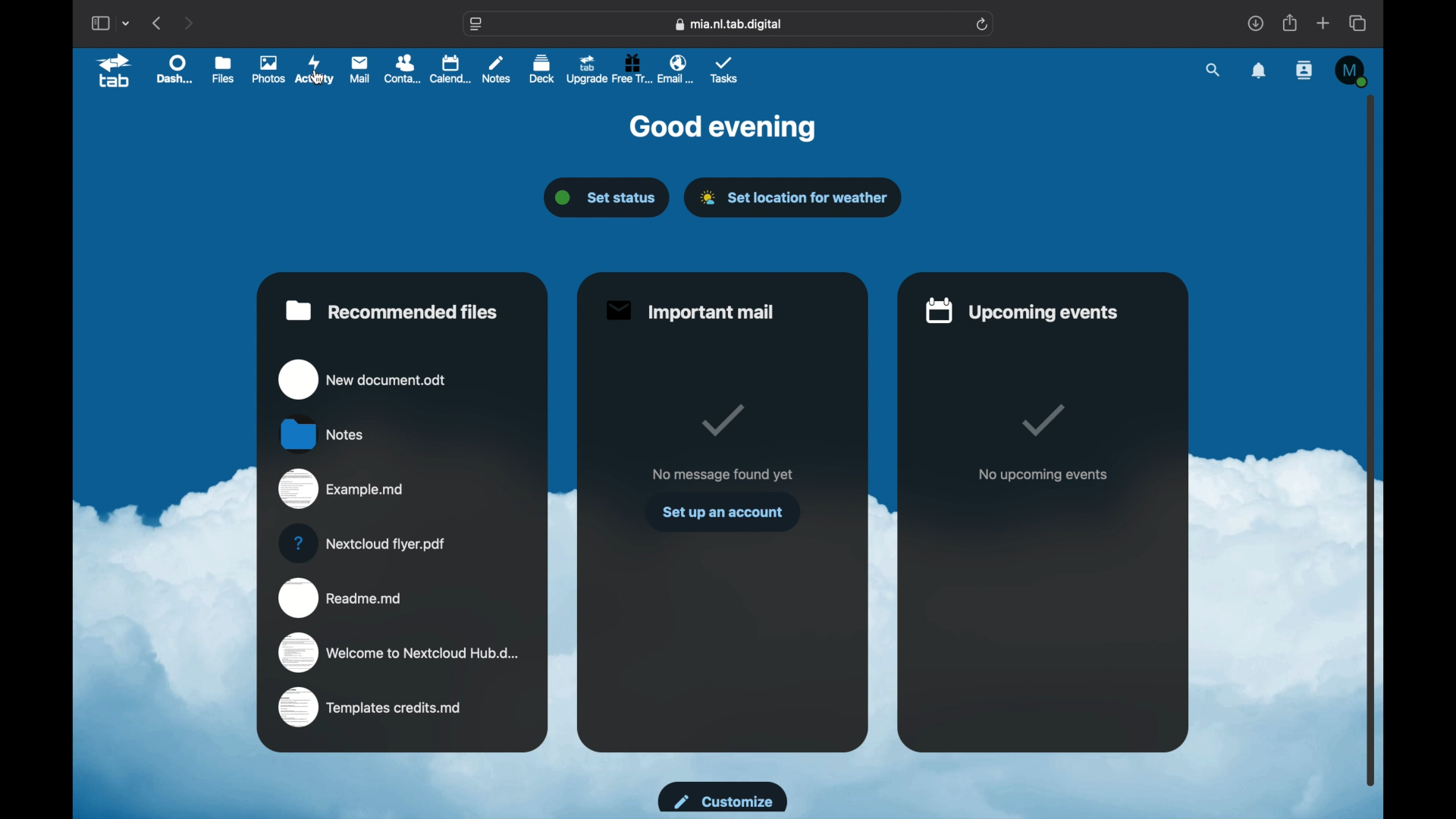 This screenshot has width=1456, height=819. I want to click on refresh, so click(983, 24).